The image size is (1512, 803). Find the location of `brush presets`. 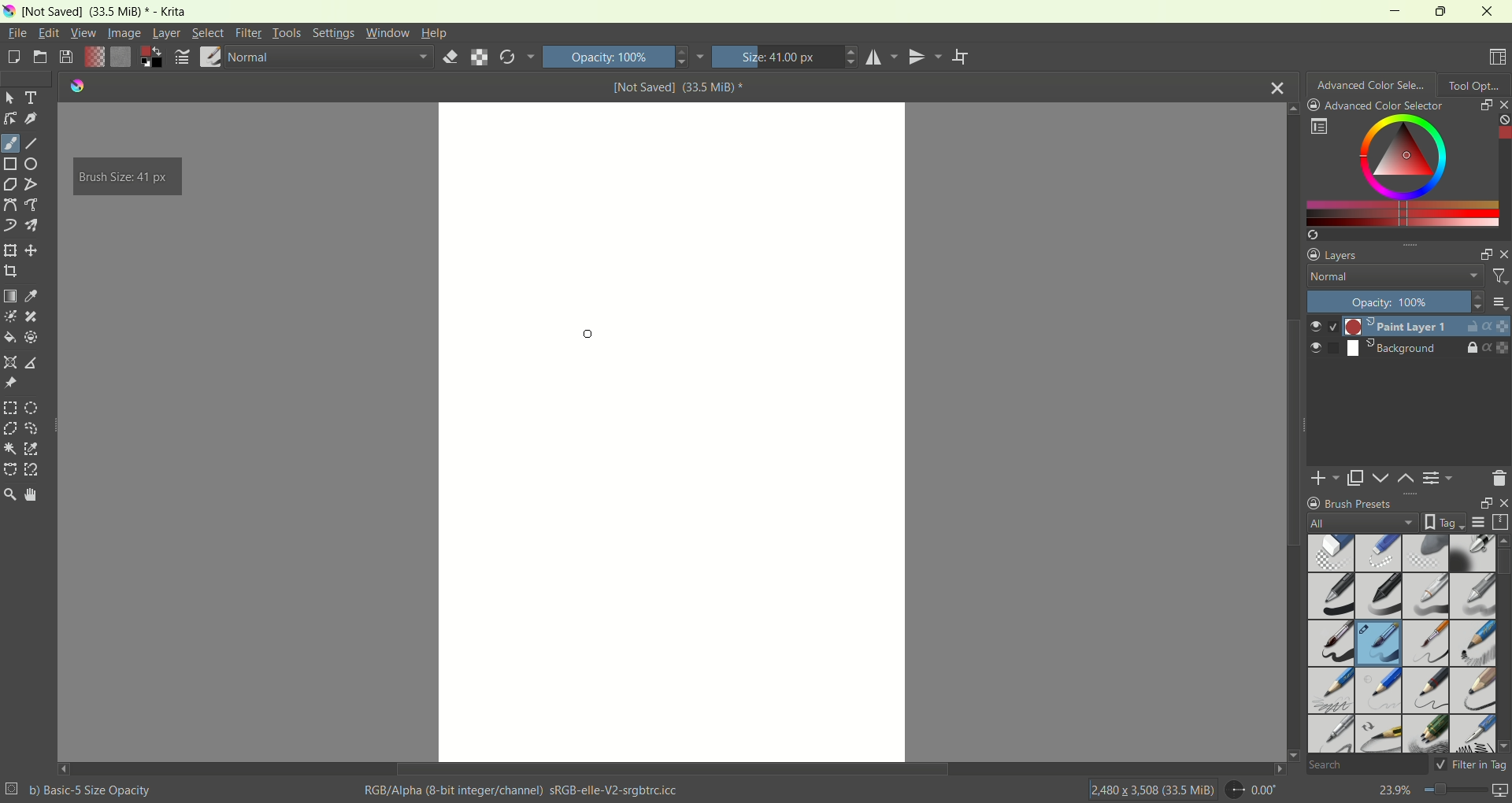

brush presets is located at coordinates (1350, 503).